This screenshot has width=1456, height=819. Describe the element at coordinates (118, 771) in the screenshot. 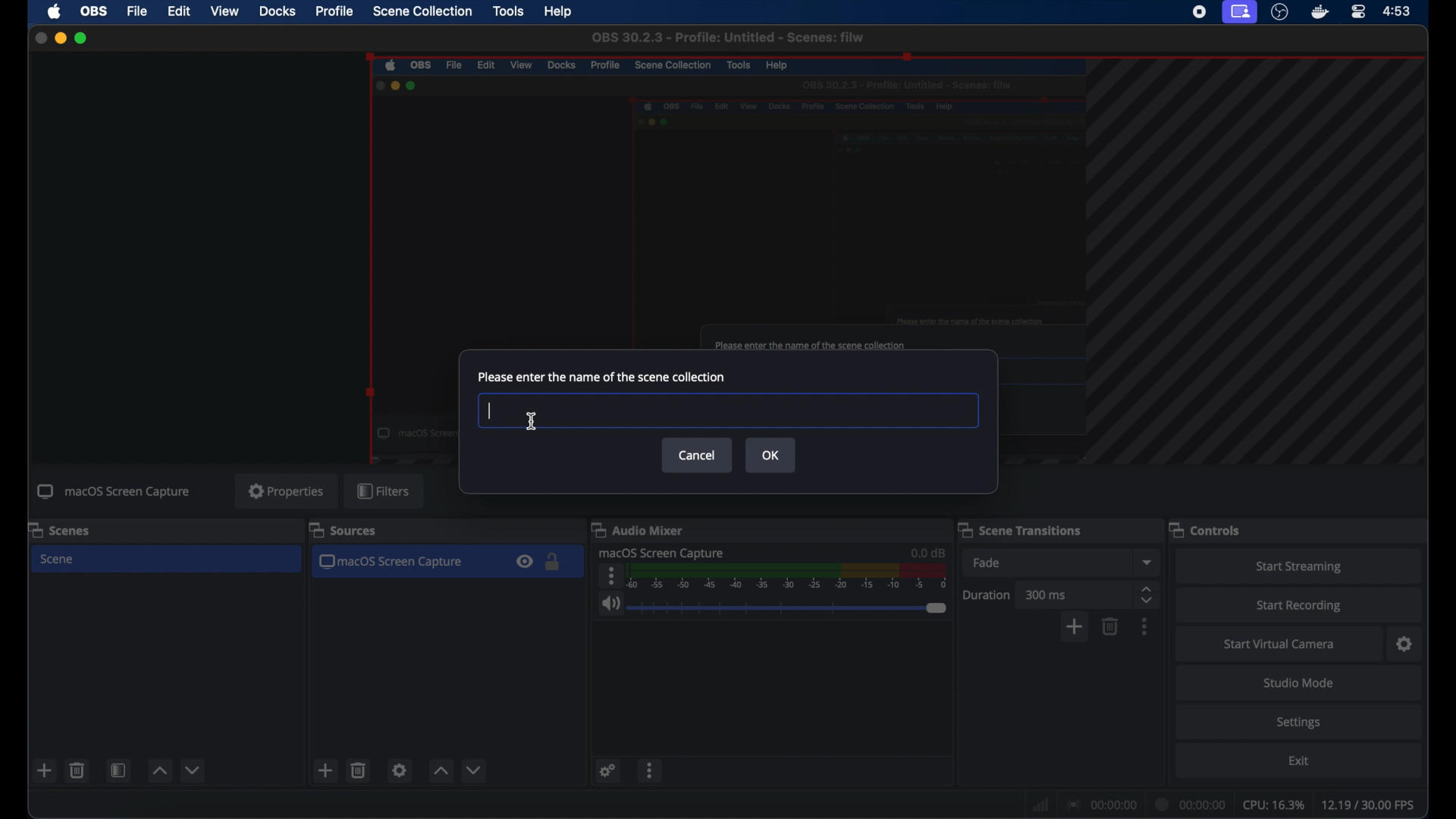

I see `open scene filter` at that location.